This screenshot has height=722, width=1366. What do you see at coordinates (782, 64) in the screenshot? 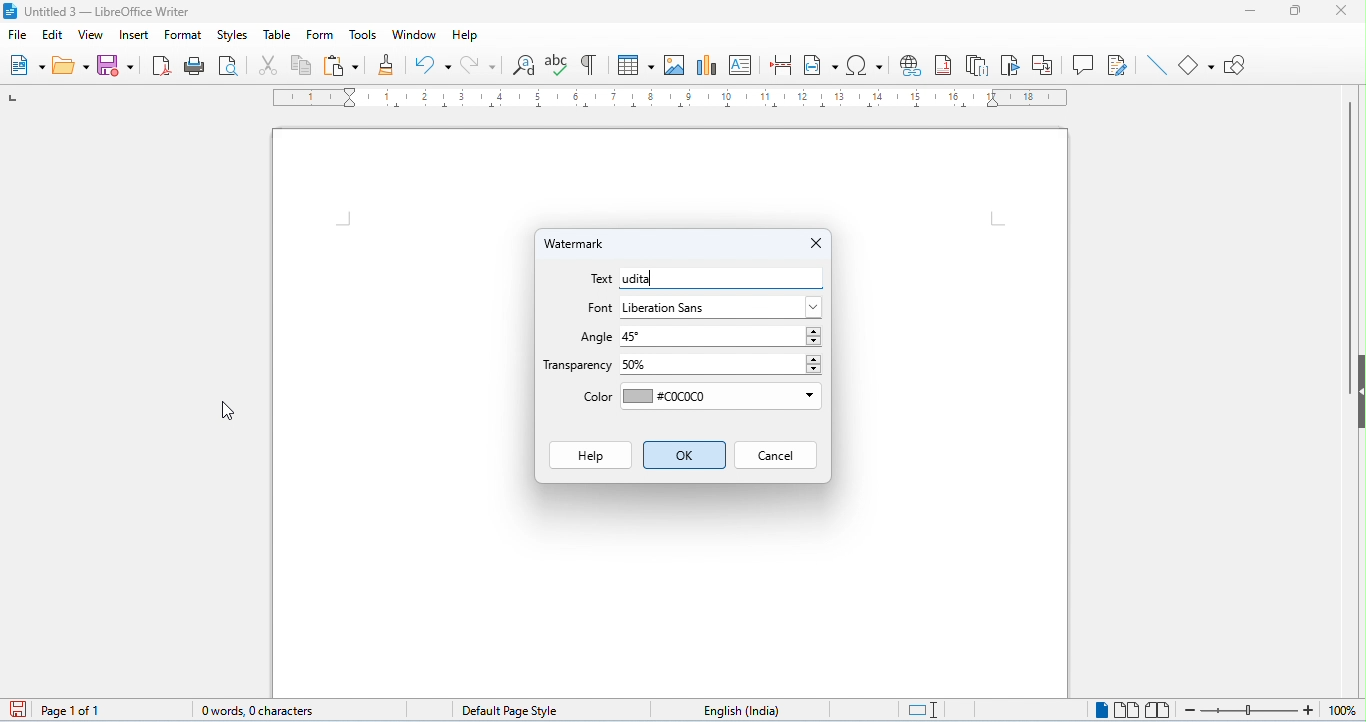
I see `page break` at bounding box center [782, 64].